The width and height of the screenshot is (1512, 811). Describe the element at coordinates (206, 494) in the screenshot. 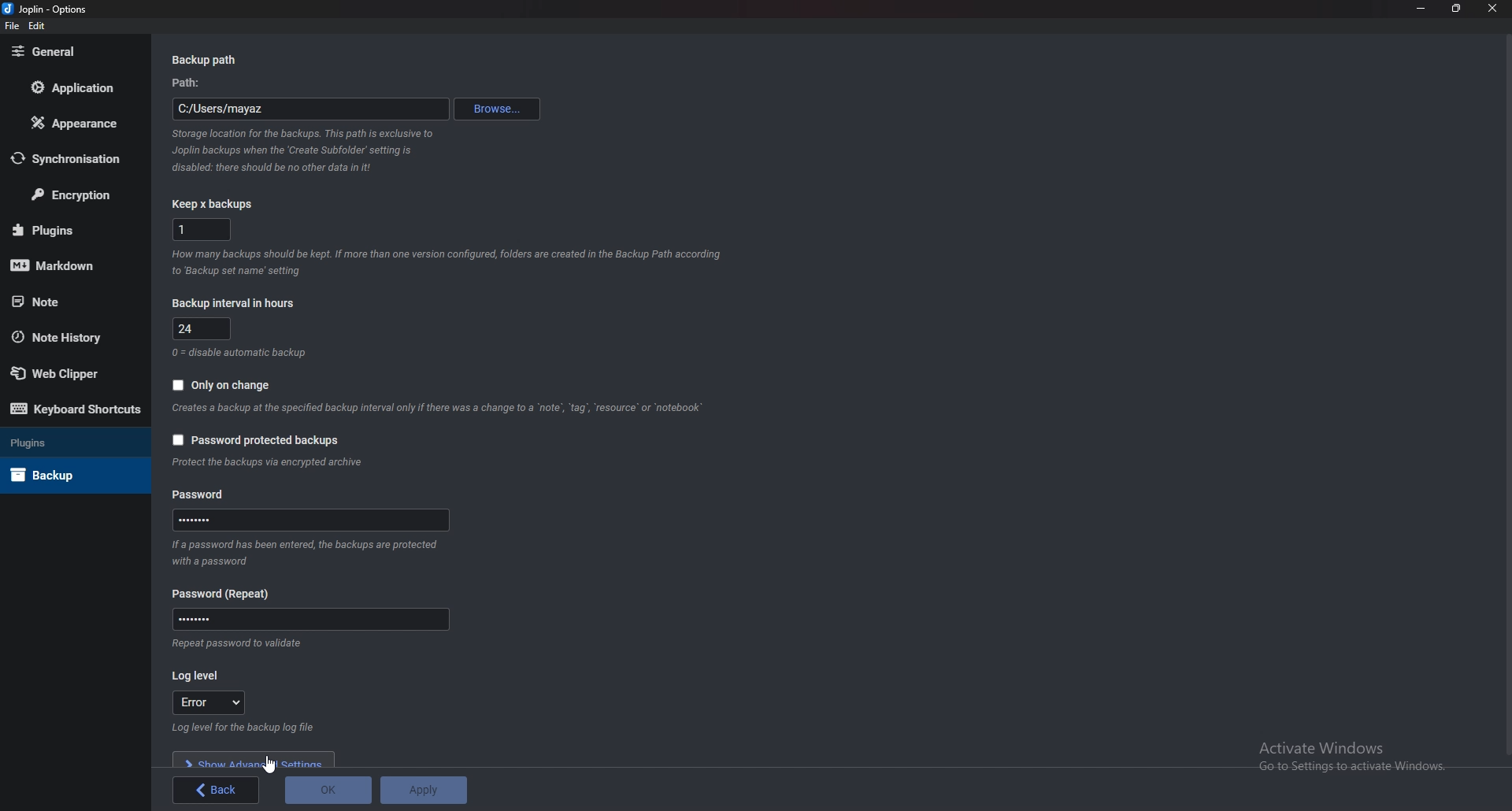

I see `Password` at that location.